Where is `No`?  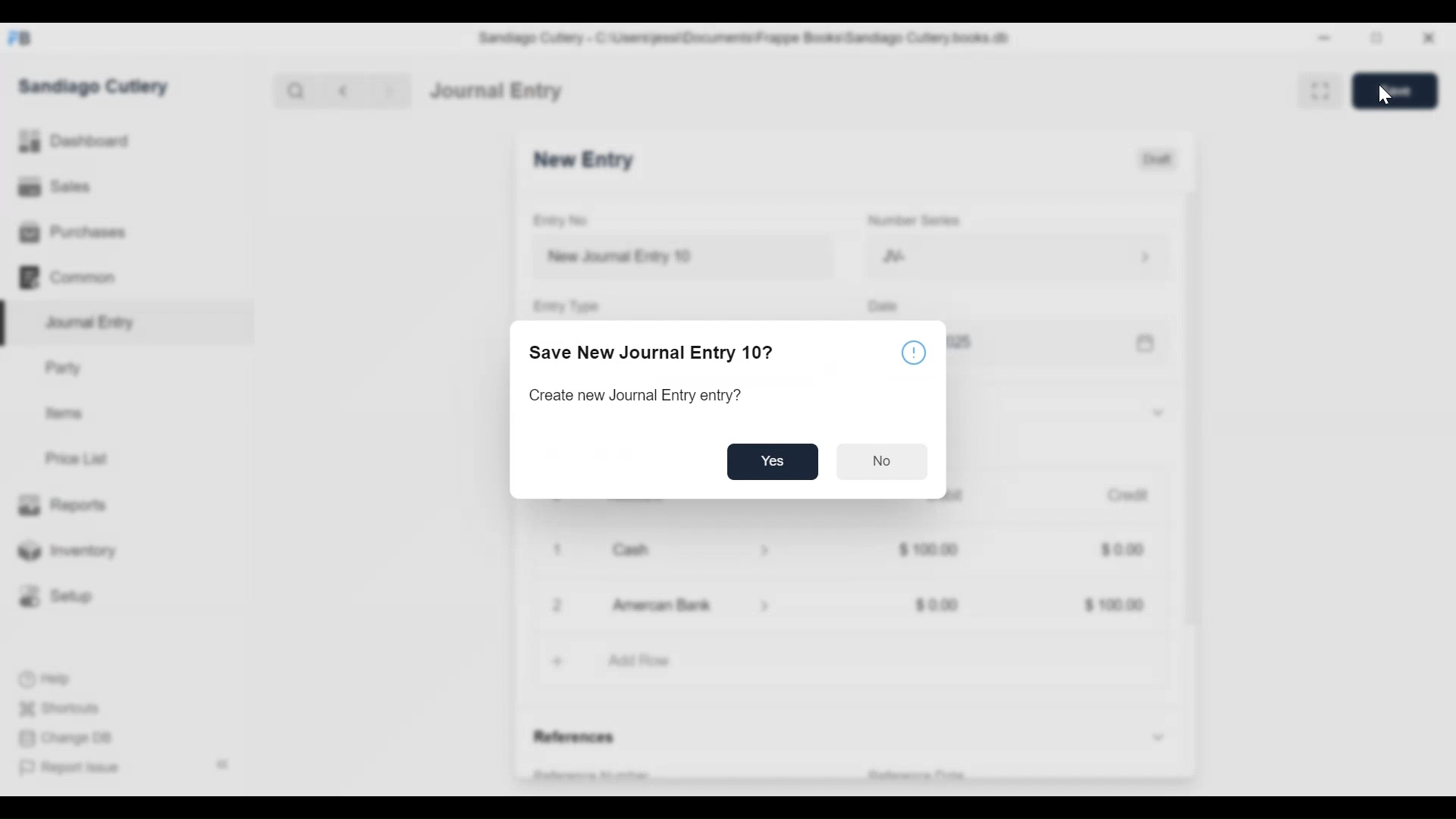 No is located at coordinates (883, 460).